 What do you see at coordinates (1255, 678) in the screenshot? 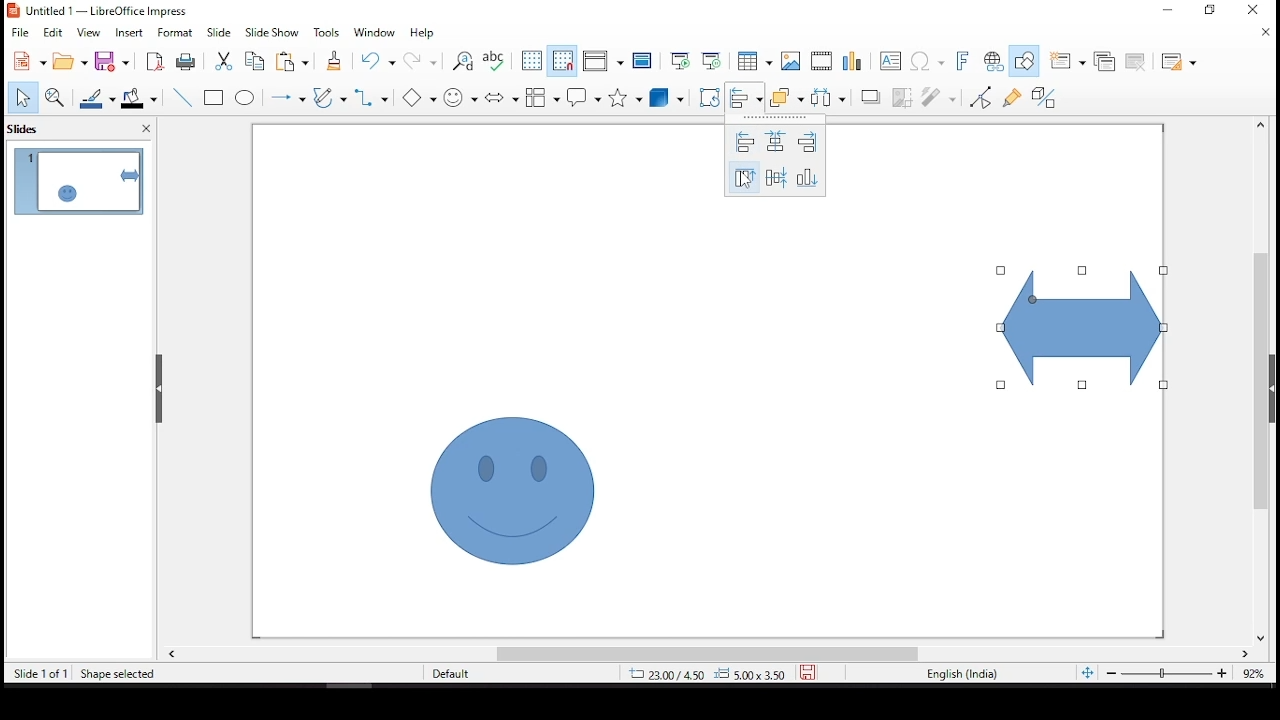
I see `zoom level` at bounding box center [1255, 678].